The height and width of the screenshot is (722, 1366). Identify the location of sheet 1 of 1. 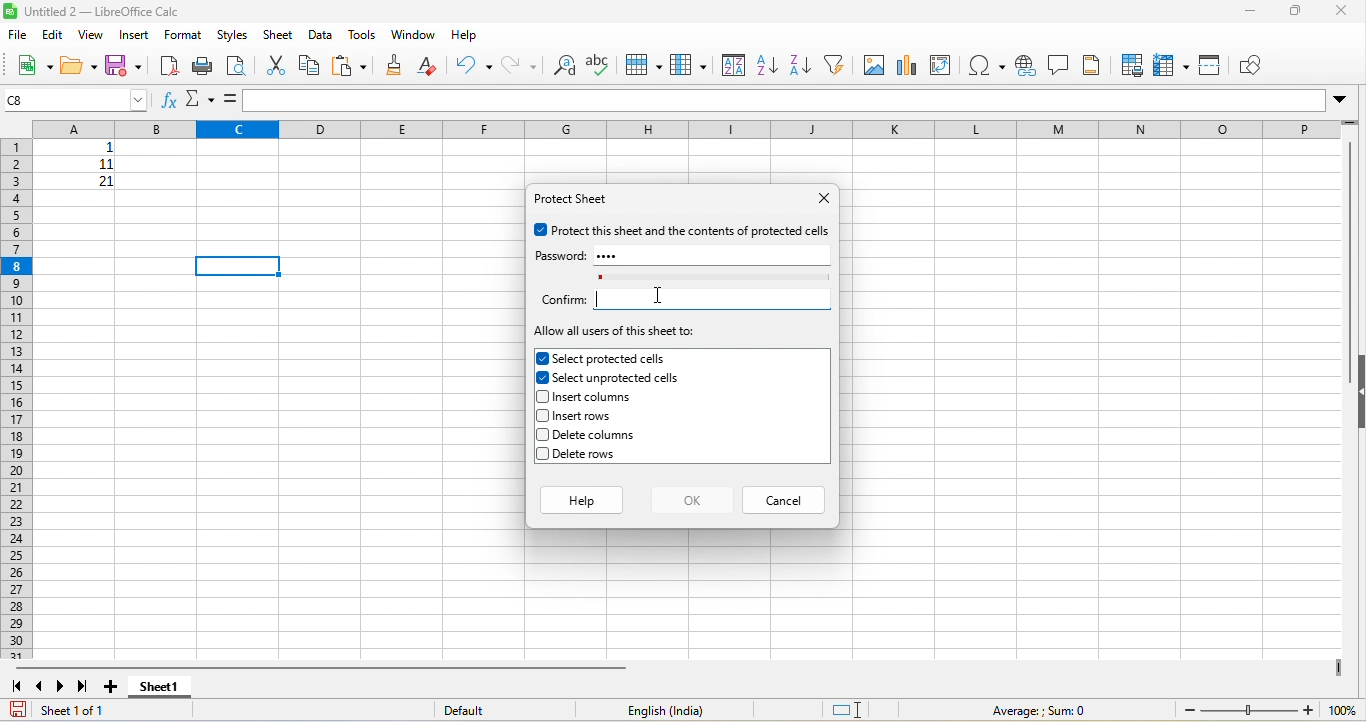
(78, 711).